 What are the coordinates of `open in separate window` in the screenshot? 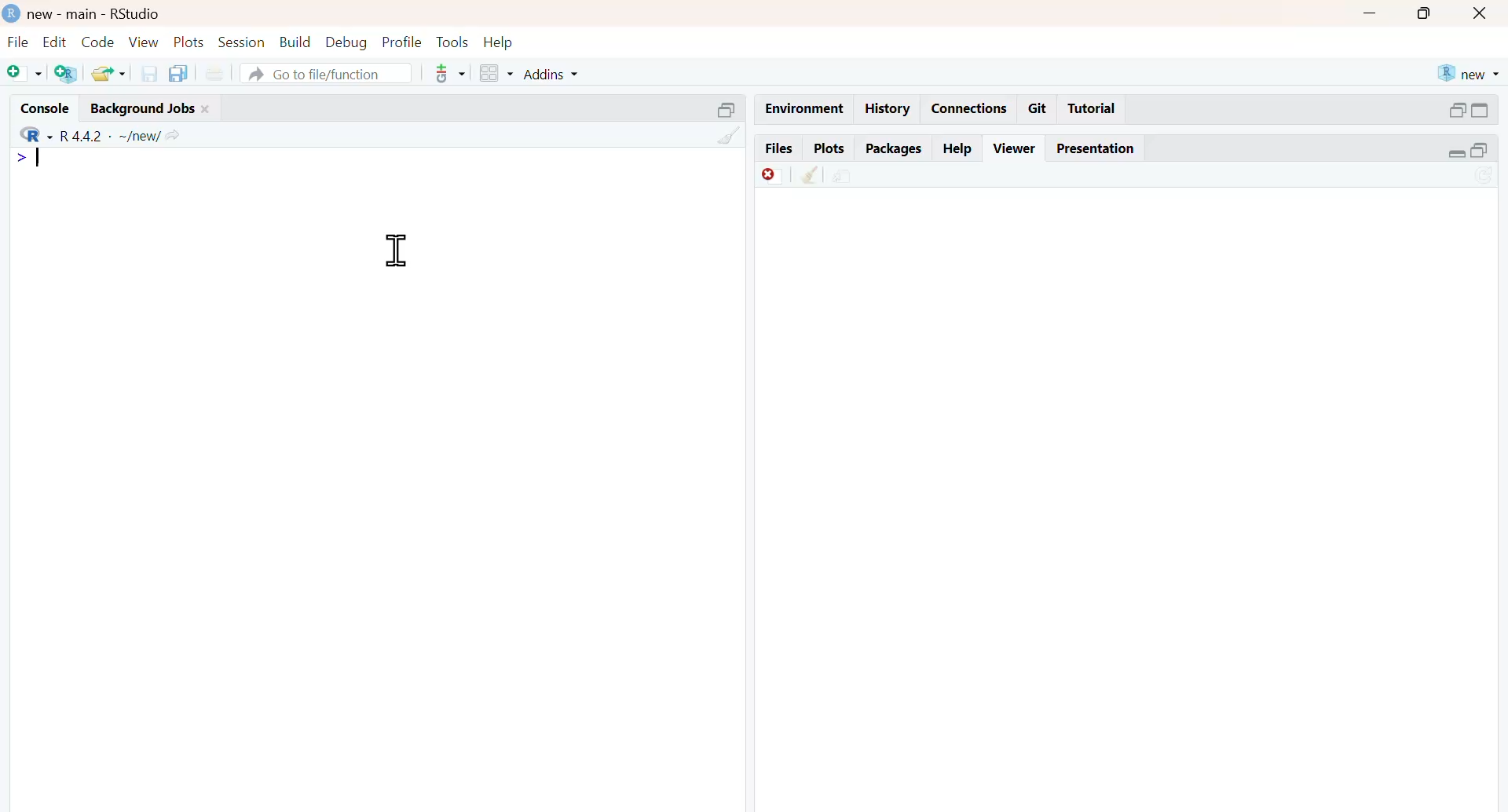 It's located at (1480, 150).